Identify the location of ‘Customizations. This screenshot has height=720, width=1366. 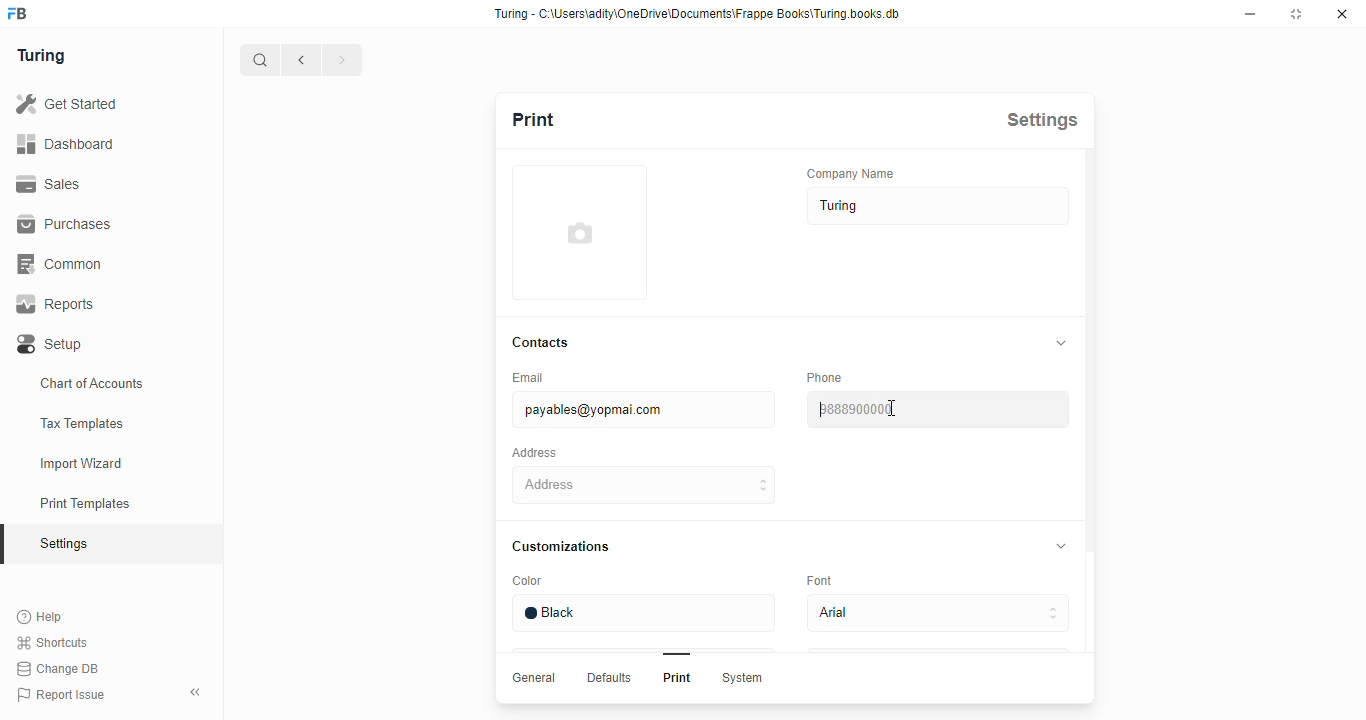
(565, 547).